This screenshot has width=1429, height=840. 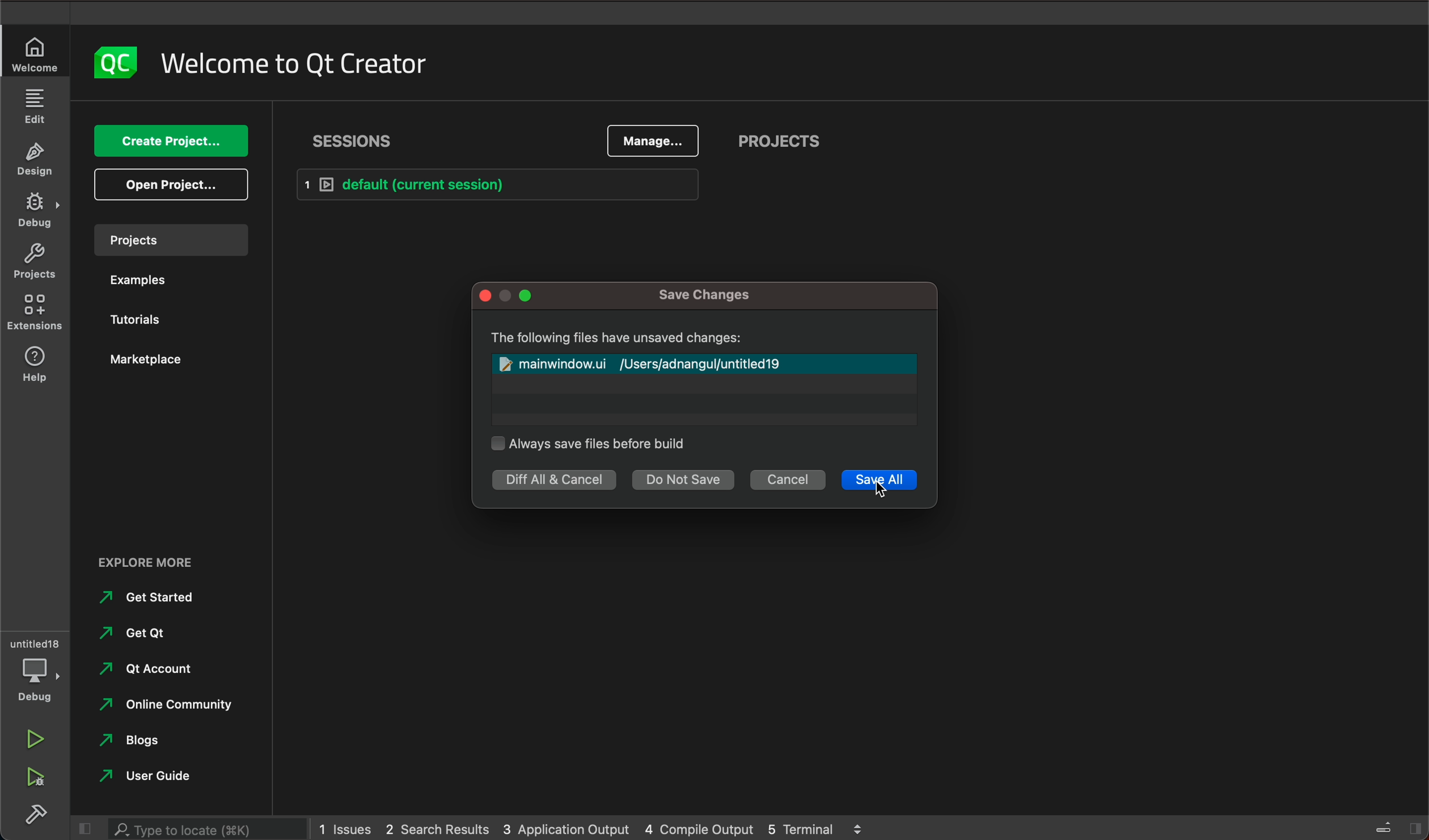 What do you see at coordinates (178, 241) in the screenshot?
I see `projects` at bounding box center [178, 241].